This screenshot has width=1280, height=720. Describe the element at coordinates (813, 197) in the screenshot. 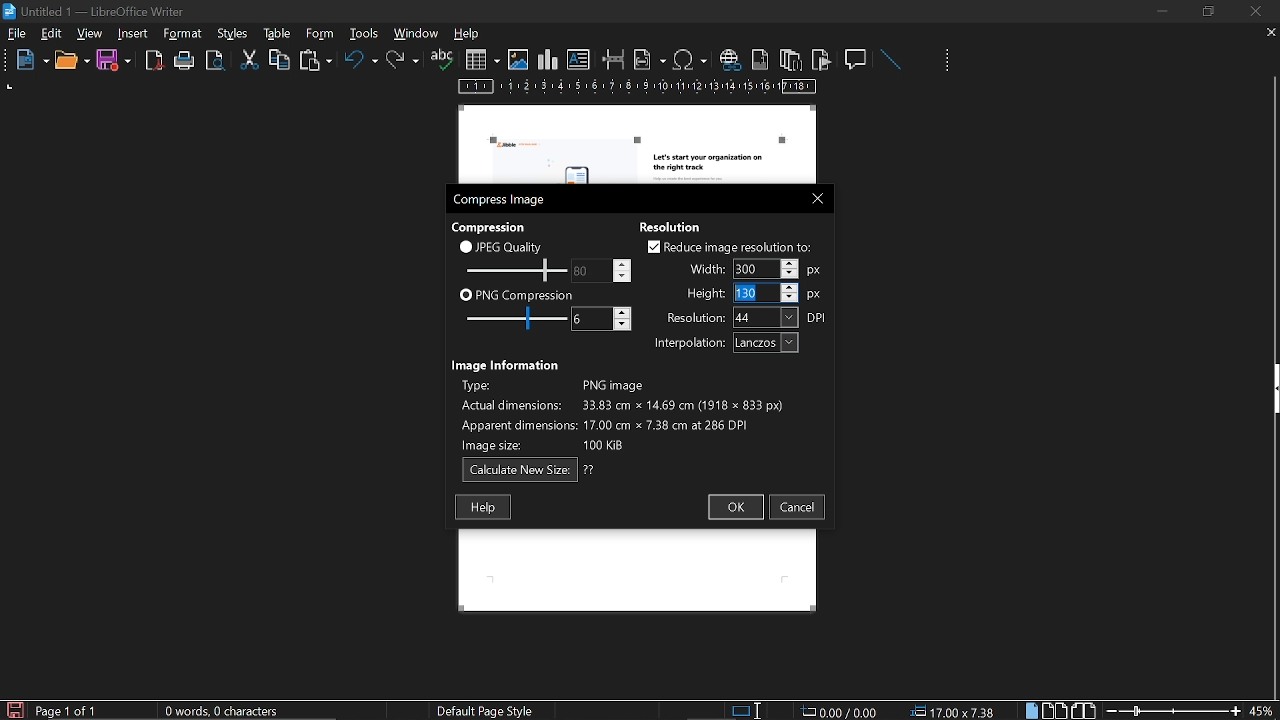

I see `close` at that location.